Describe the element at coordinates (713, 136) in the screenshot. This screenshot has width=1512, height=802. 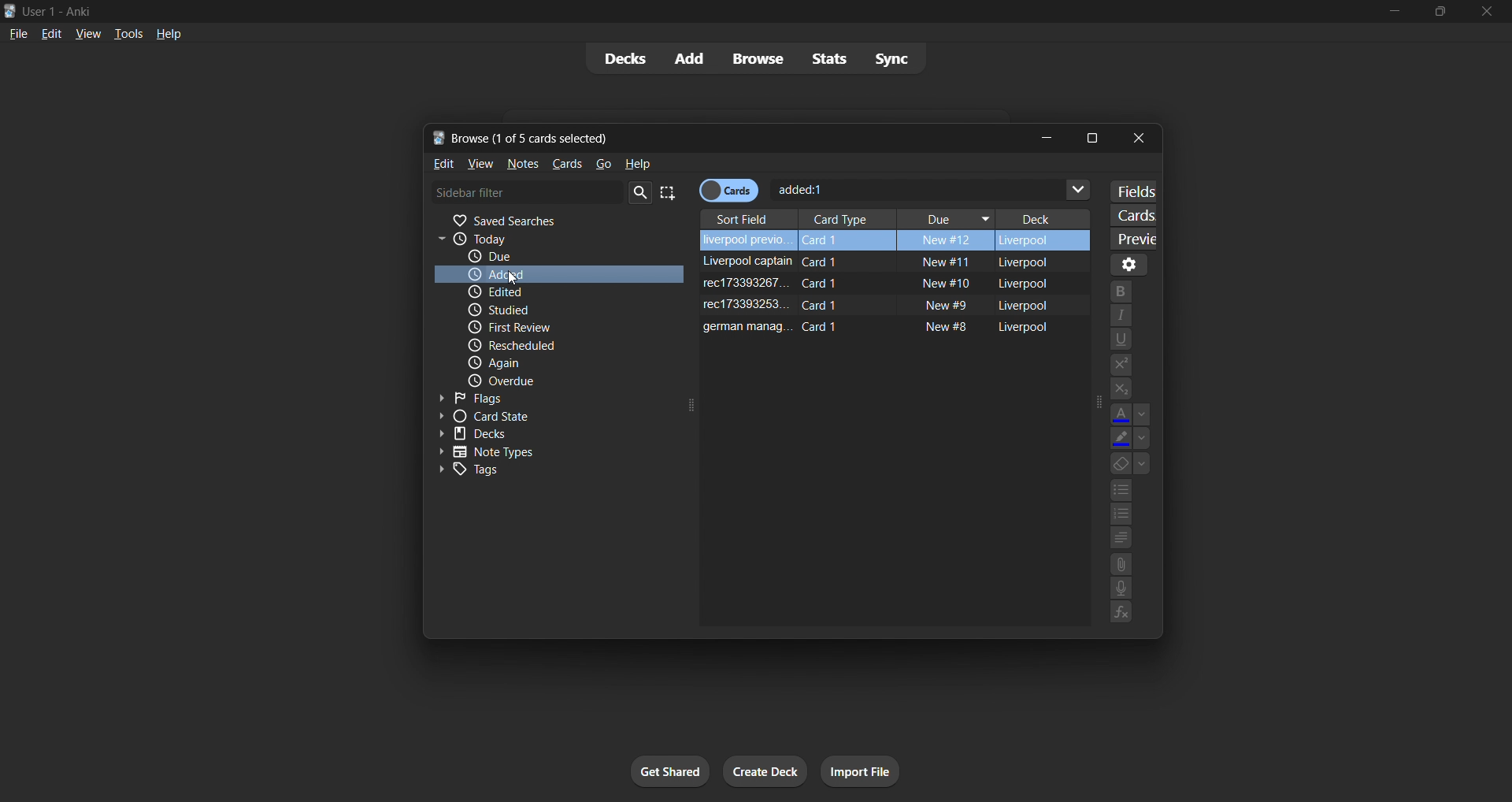
I see `browse tab title` at that location.